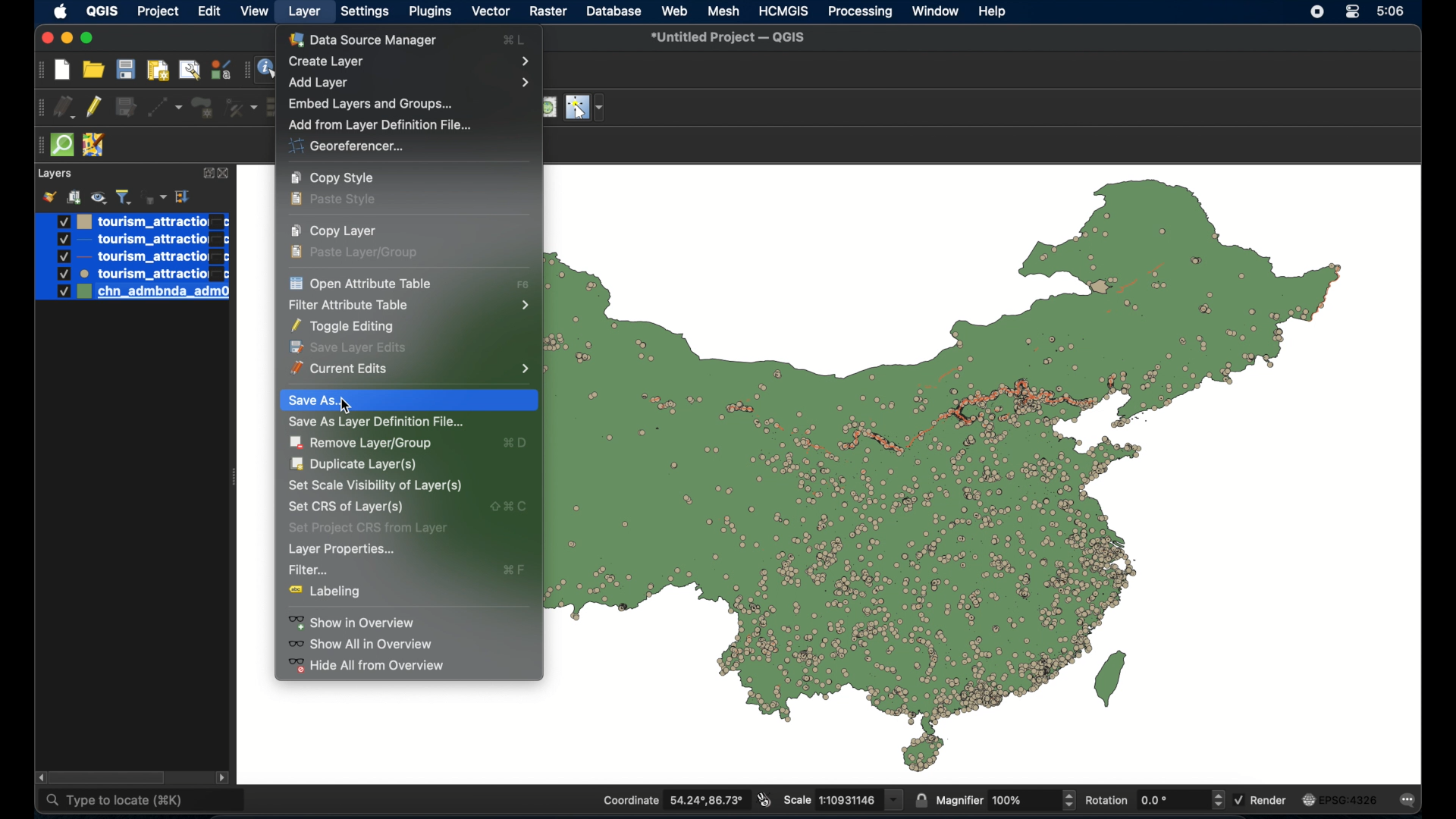 This screenshot has height=819, width=1456. What do you see at coordinates (133, 221) in the screenshot?
I see `layer1` at bounding box center [133, 221].